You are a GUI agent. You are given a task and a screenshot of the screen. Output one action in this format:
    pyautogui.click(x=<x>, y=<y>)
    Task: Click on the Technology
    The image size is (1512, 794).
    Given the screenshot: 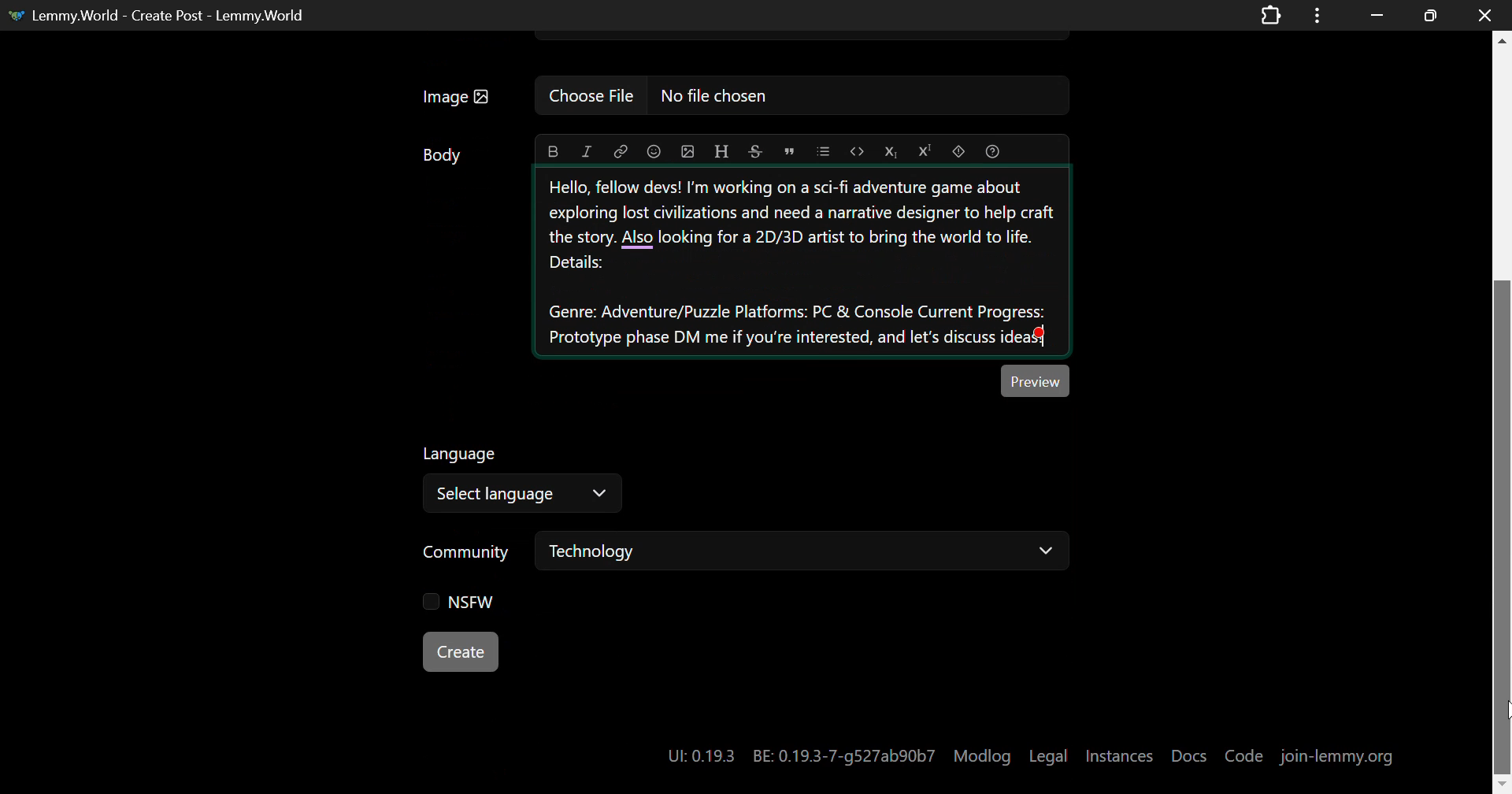 What is the action you would take?
    pyautogui.click(x=802, y=550)
    